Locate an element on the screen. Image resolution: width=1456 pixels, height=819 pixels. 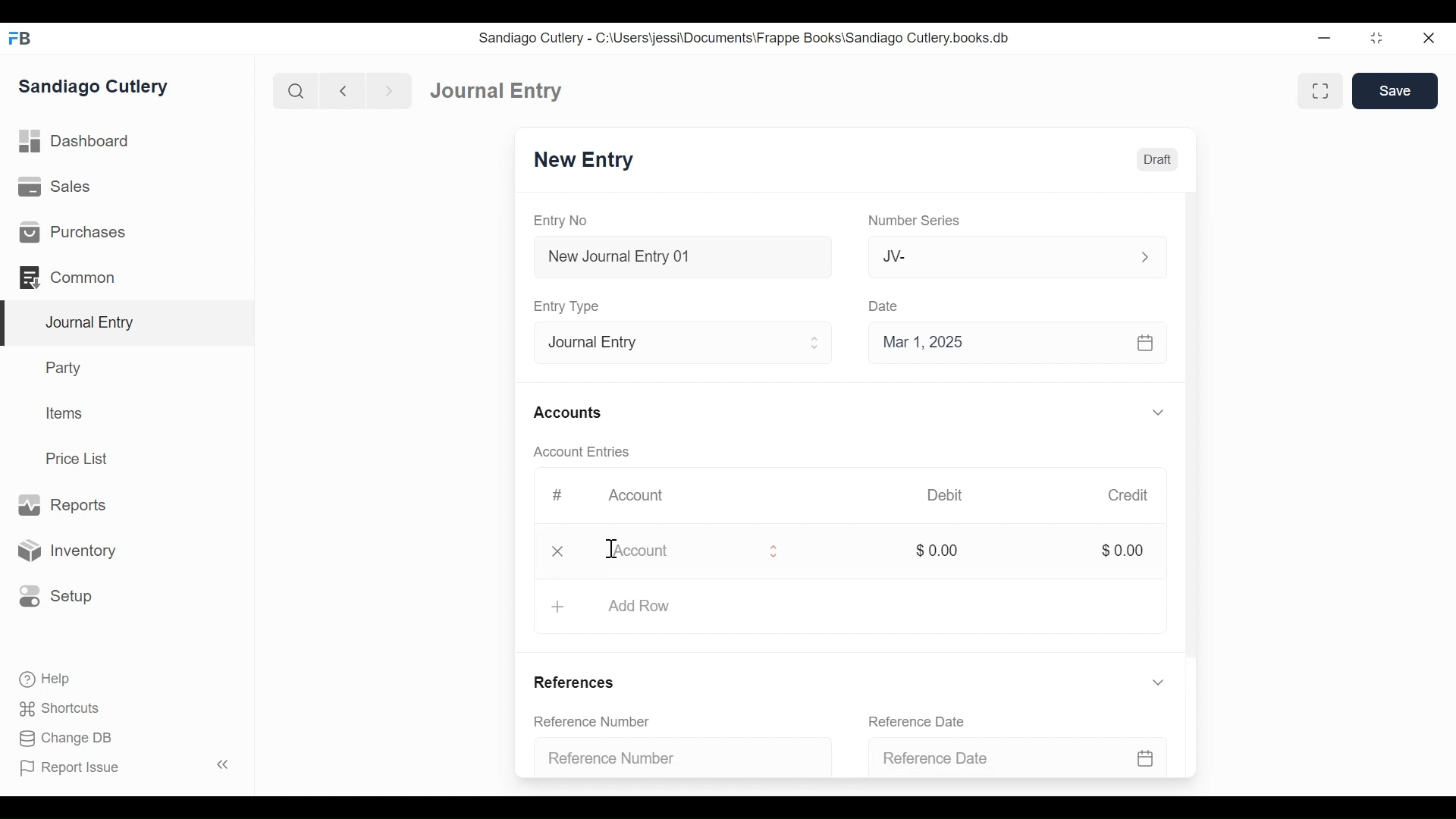
Save is located at coordinates (1395, 90).